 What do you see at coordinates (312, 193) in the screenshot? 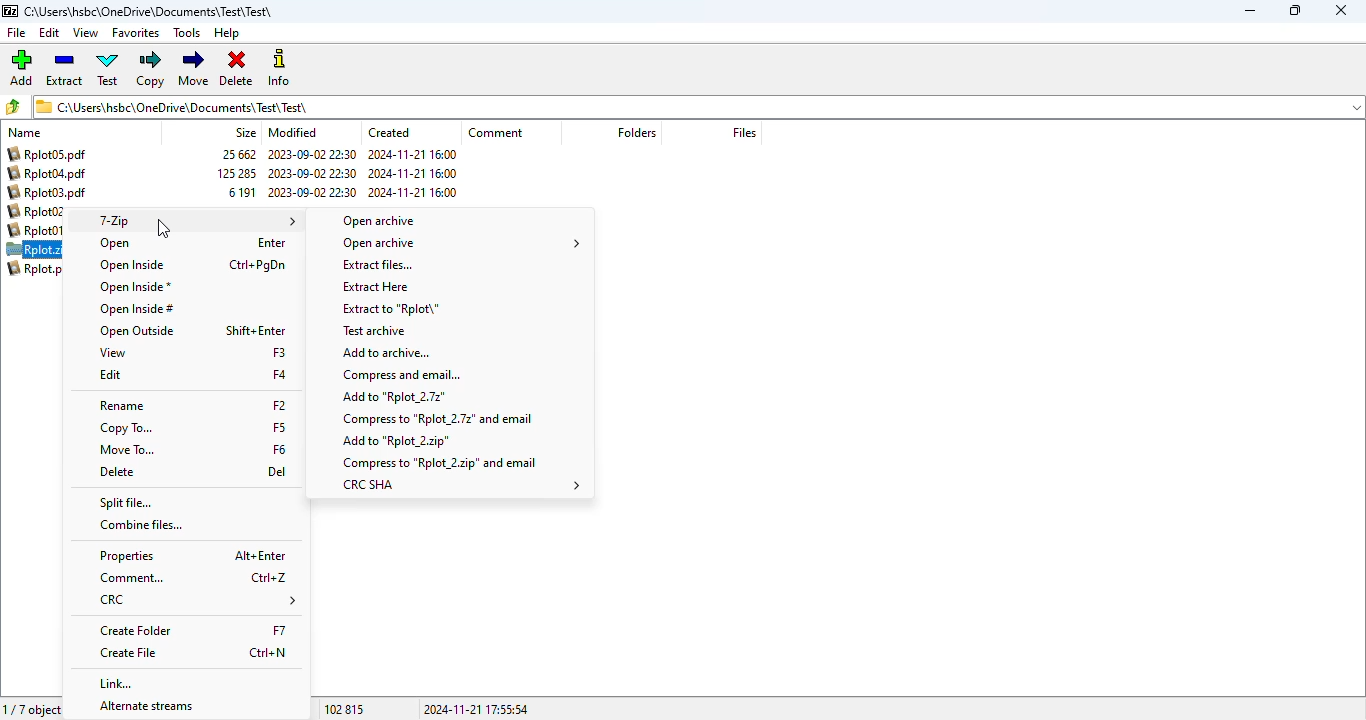
I see `2023-09-02 22:30` at bounding box center [312, 193].